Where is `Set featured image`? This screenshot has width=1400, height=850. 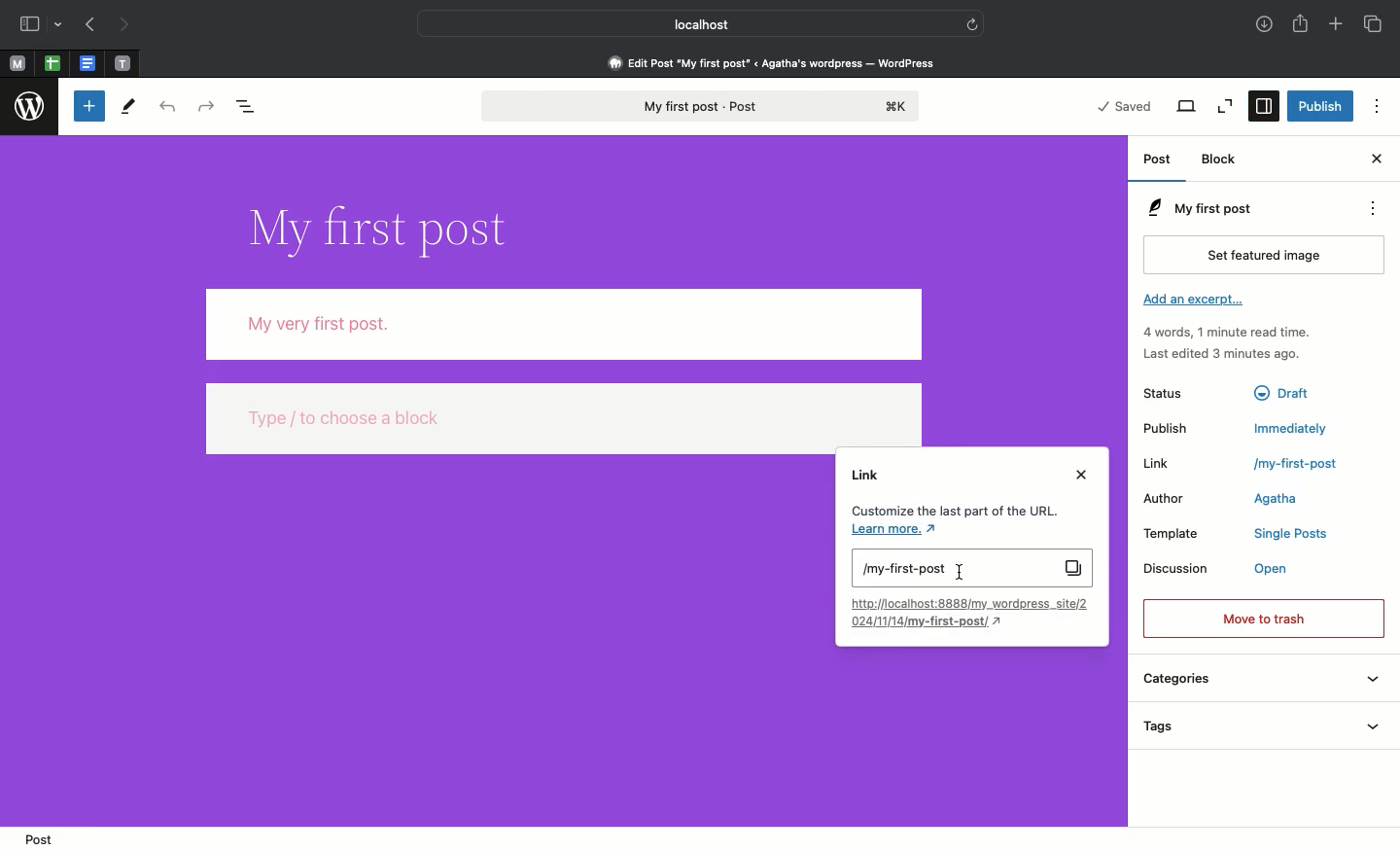
Set featured image is located at coordinates (1264, 254).